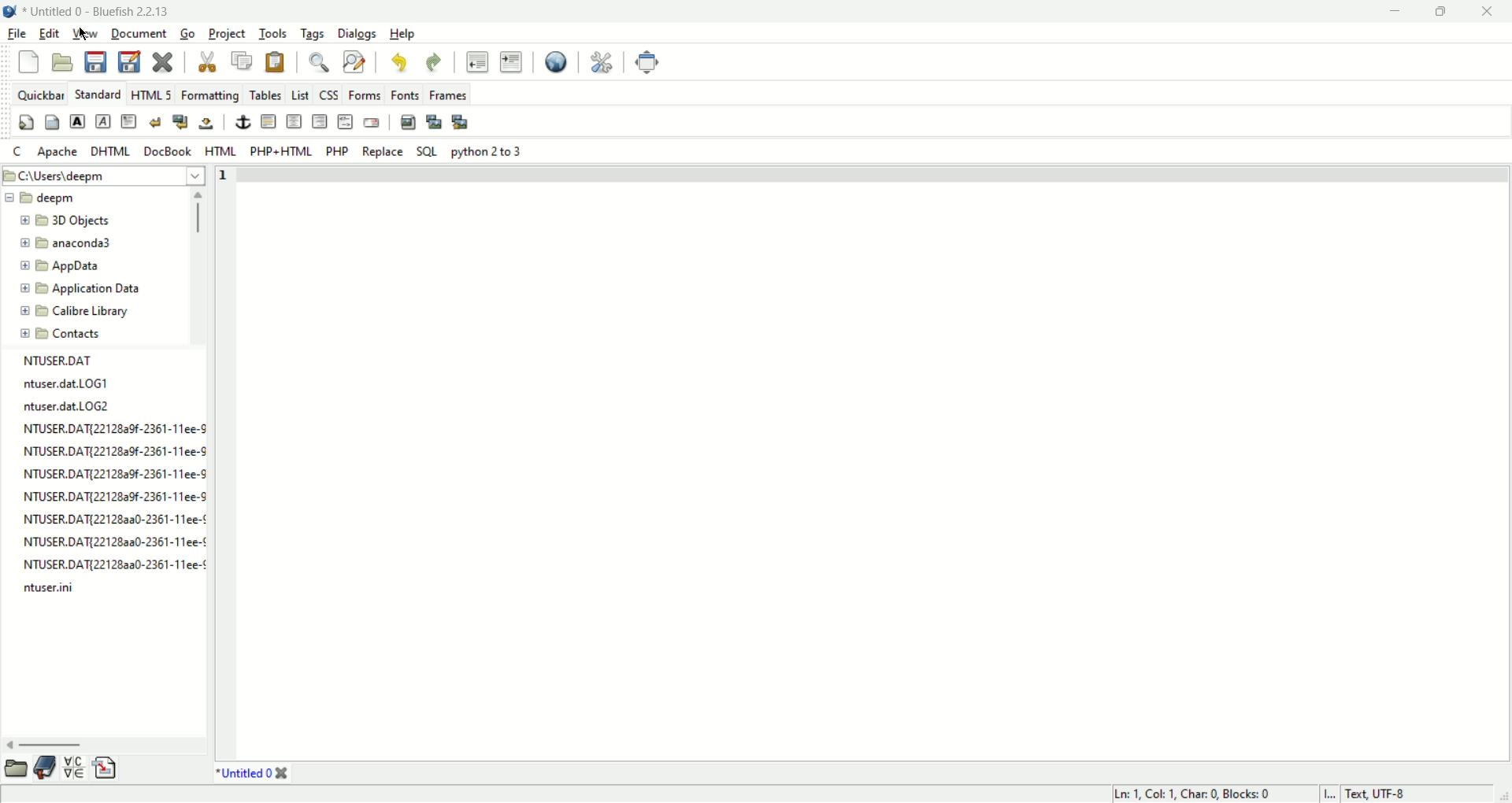 The height and width of the screenshot is (803, 1512). Describe the element at coordinates (49, 768) in the screenshot. I see `bookmark` at that location.